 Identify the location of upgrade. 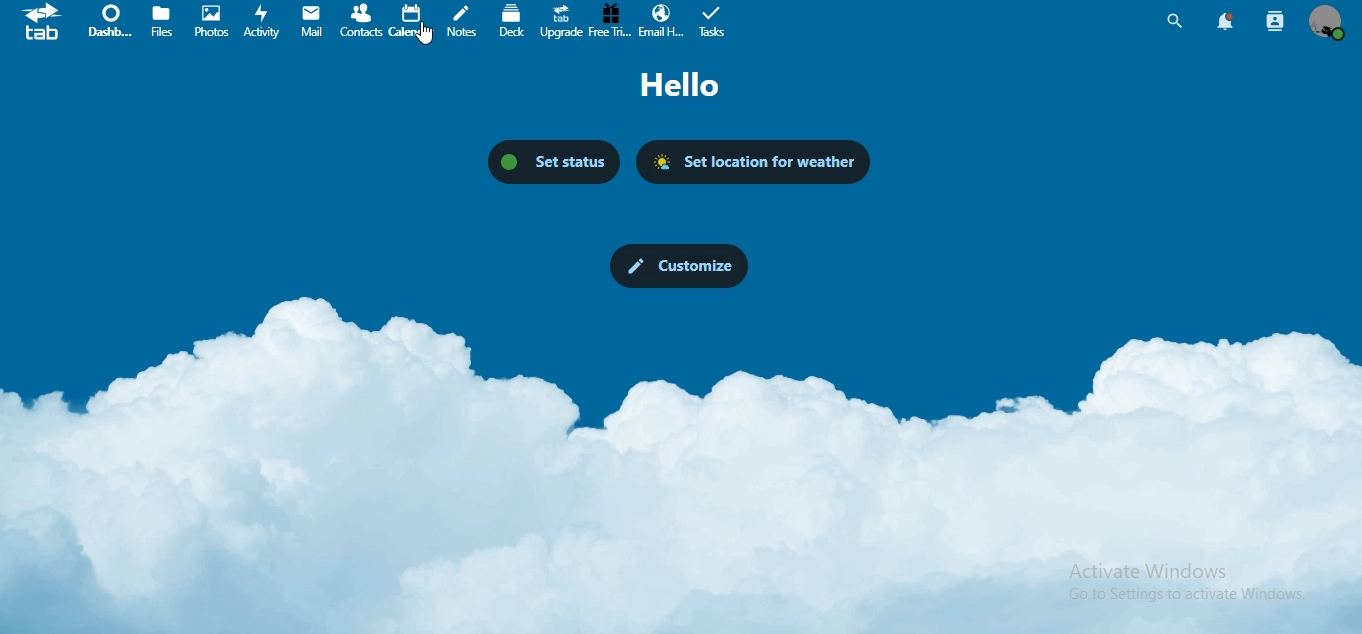
(563, 22).